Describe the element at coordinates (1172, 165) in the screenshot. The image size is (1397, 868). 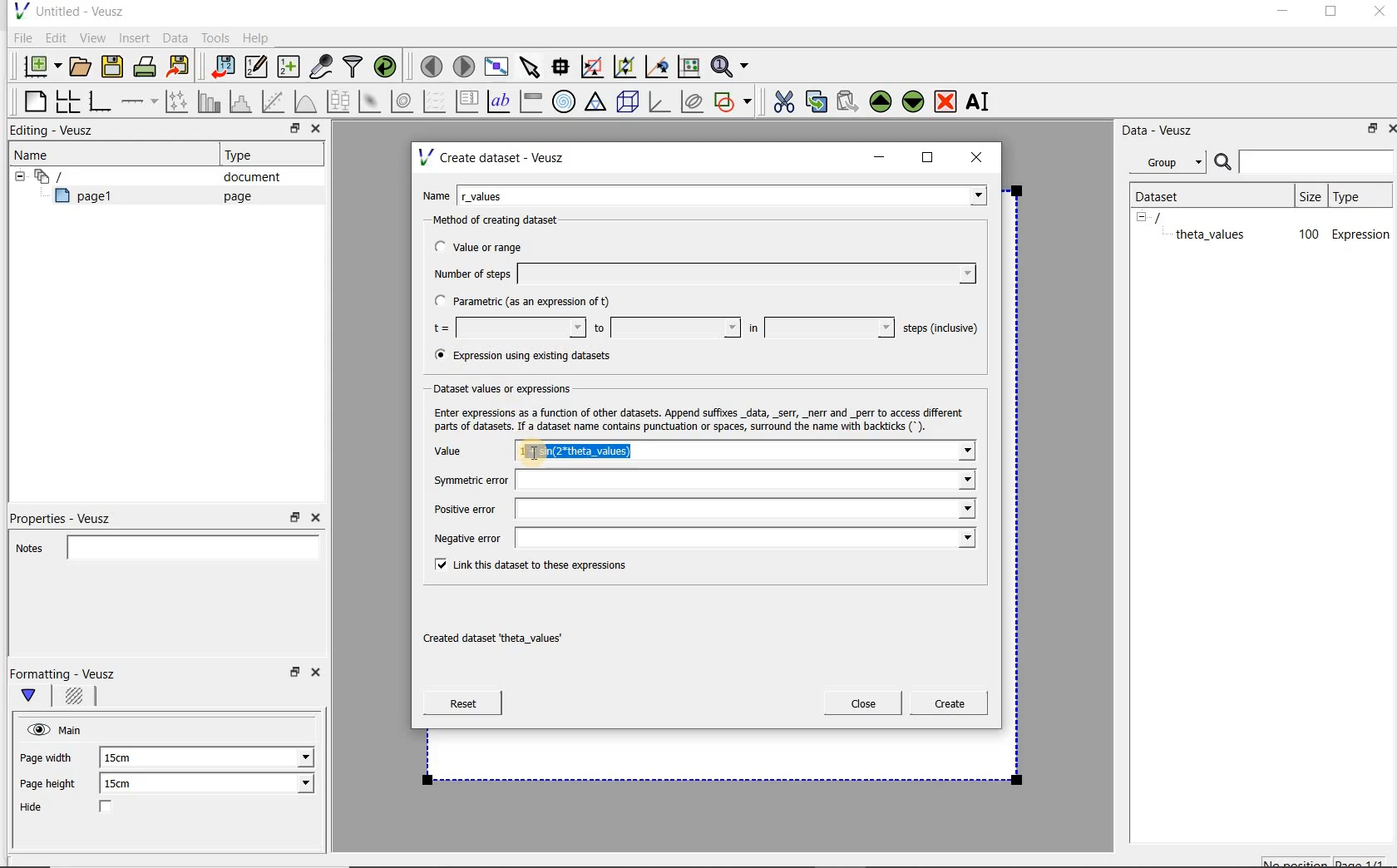
I see `Group` at that location.